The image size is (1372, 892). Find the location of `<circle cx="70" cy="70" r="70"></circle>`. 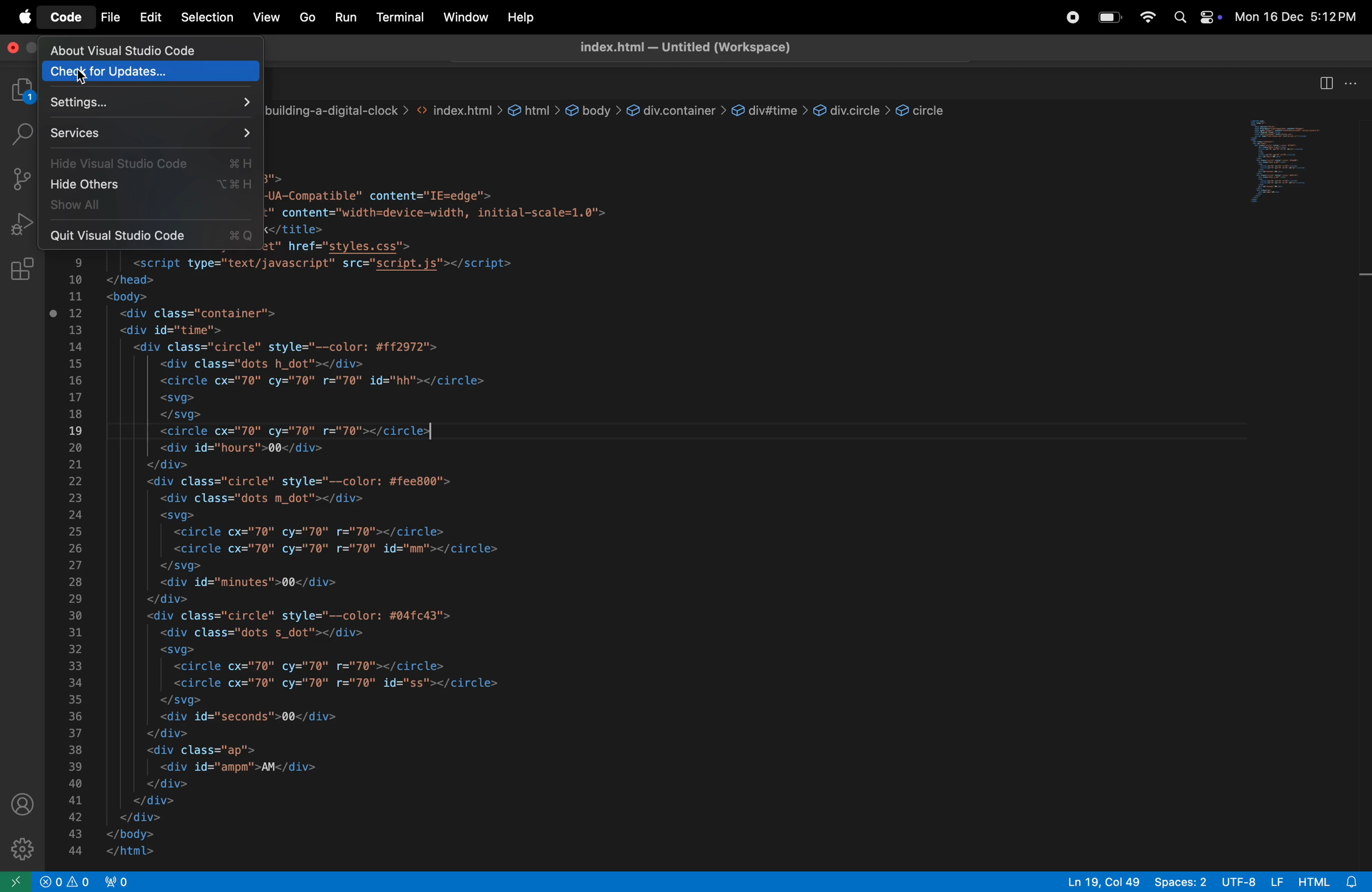

<circle cx="70" cy="70" r="70"></circle> is located at coordinates (319, 532).